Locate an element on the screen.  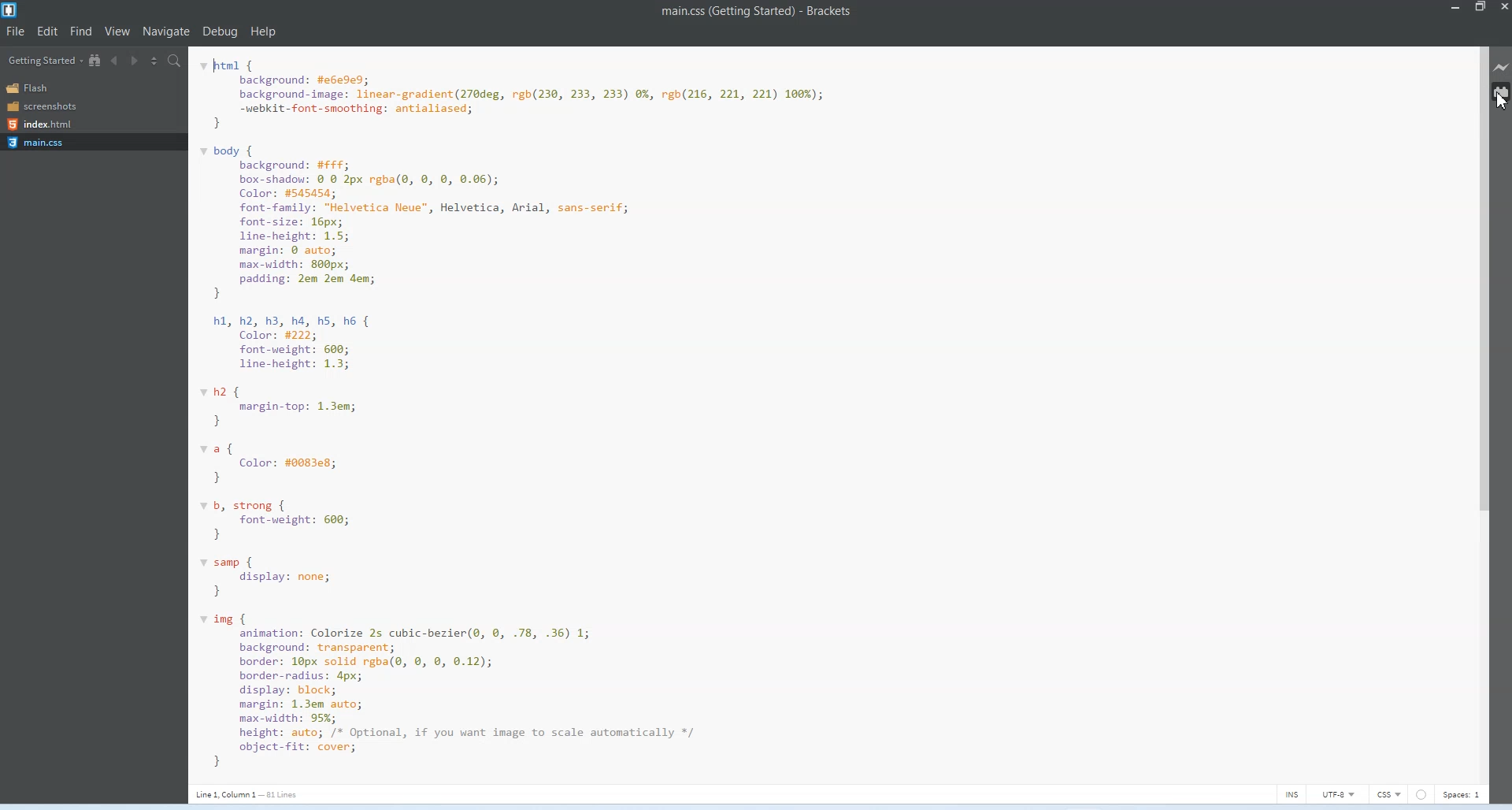
View is located at coordinates (119, 31).